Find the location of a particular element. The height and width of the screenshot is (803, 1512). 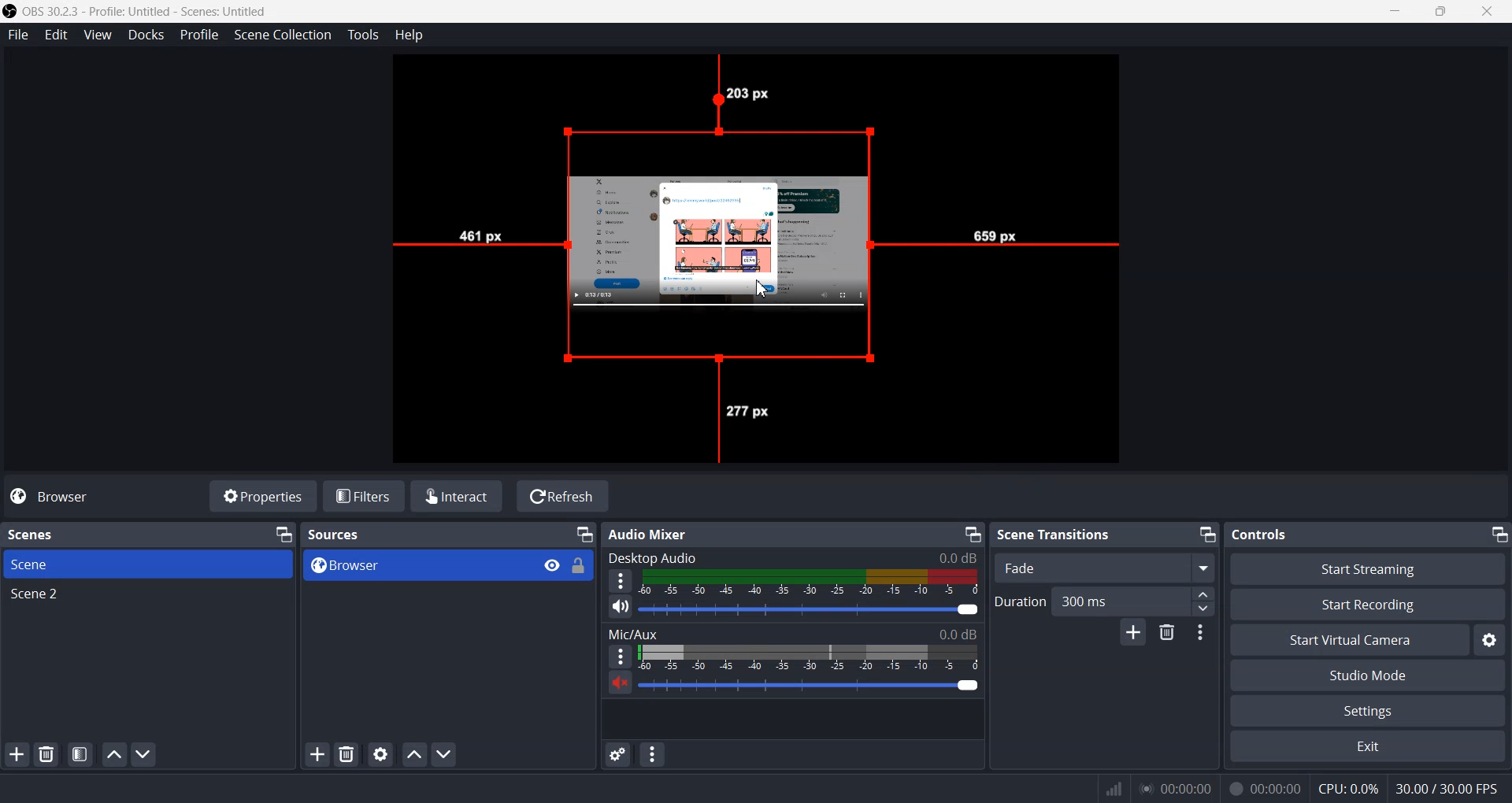

Restore down is located at coordinates (1444, 13).